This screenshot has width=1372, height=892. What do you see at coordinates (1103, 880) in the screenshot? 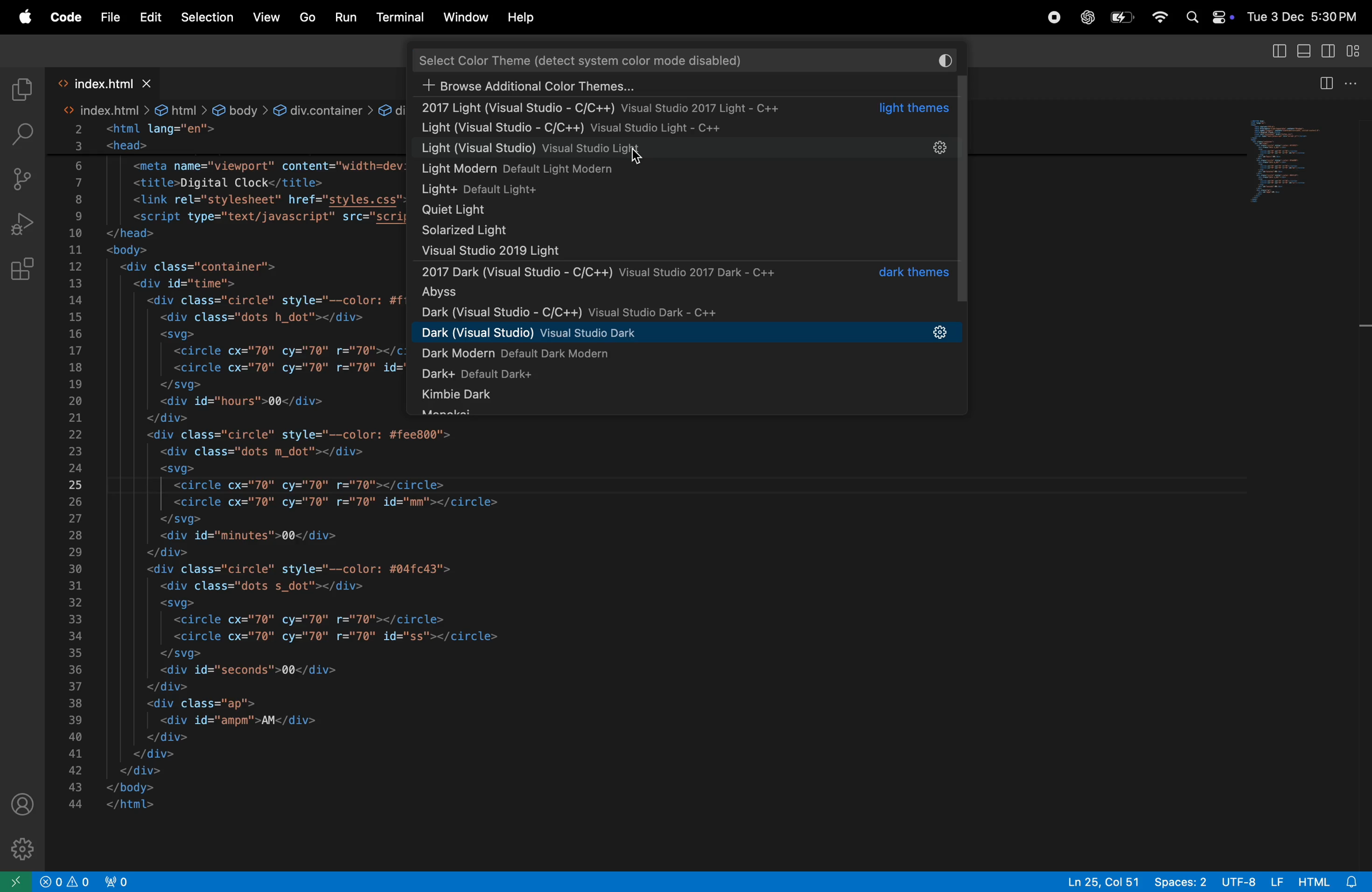
I see `ln 25 col 51` at bounding box center [1103, 880].